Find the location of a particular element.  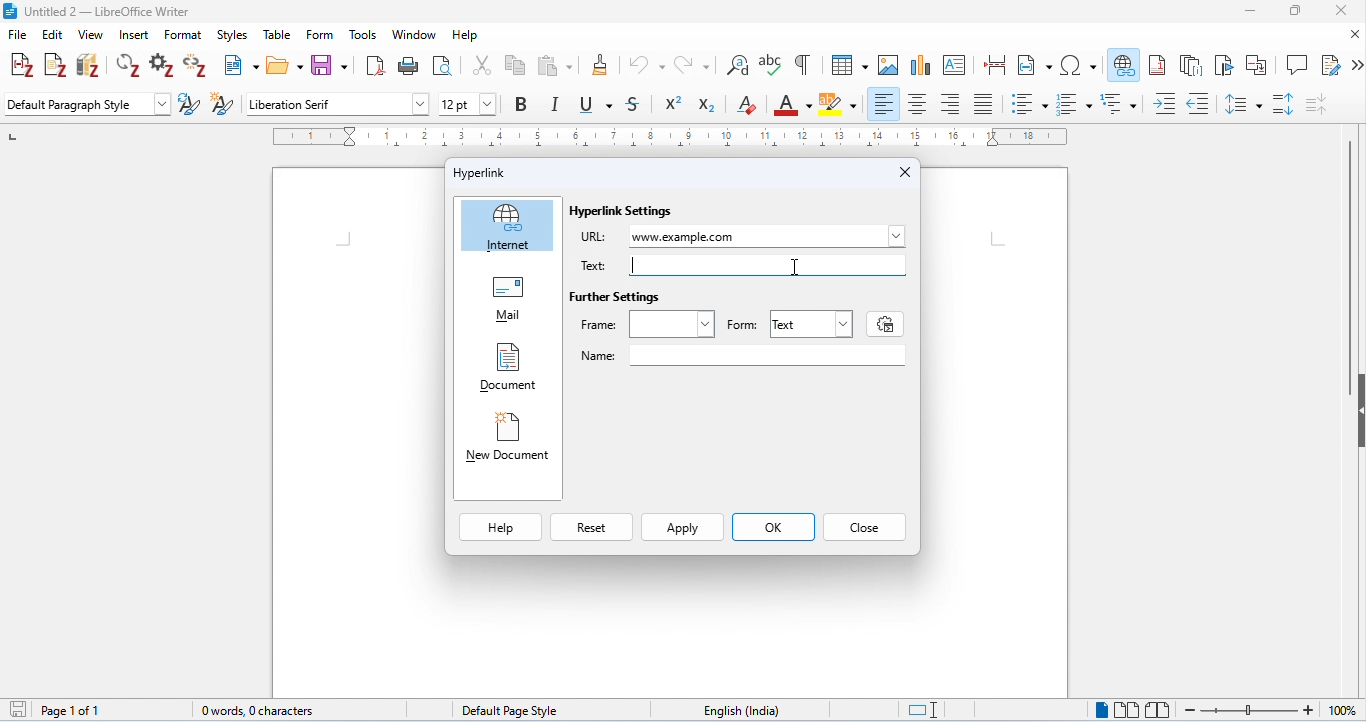

insert is located at coordinates (134, 35).